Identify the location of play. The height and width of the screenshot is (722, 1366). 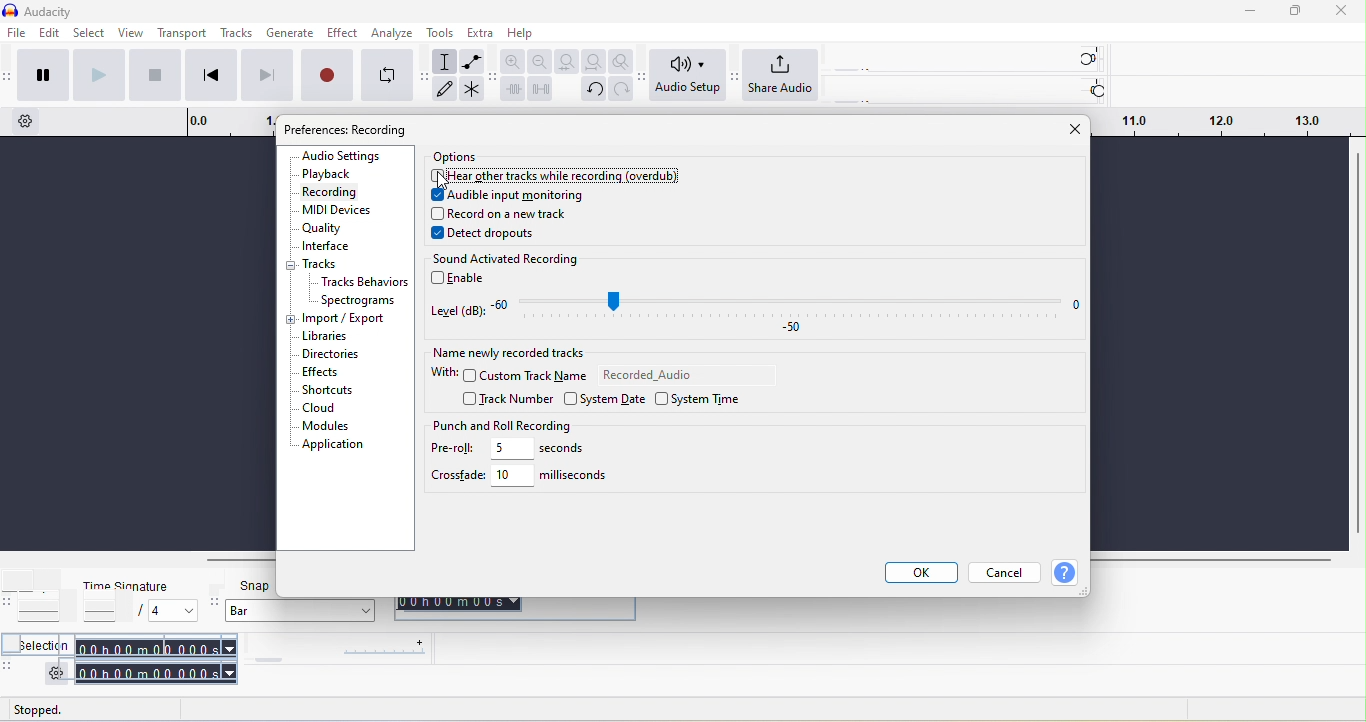
(104, 75).